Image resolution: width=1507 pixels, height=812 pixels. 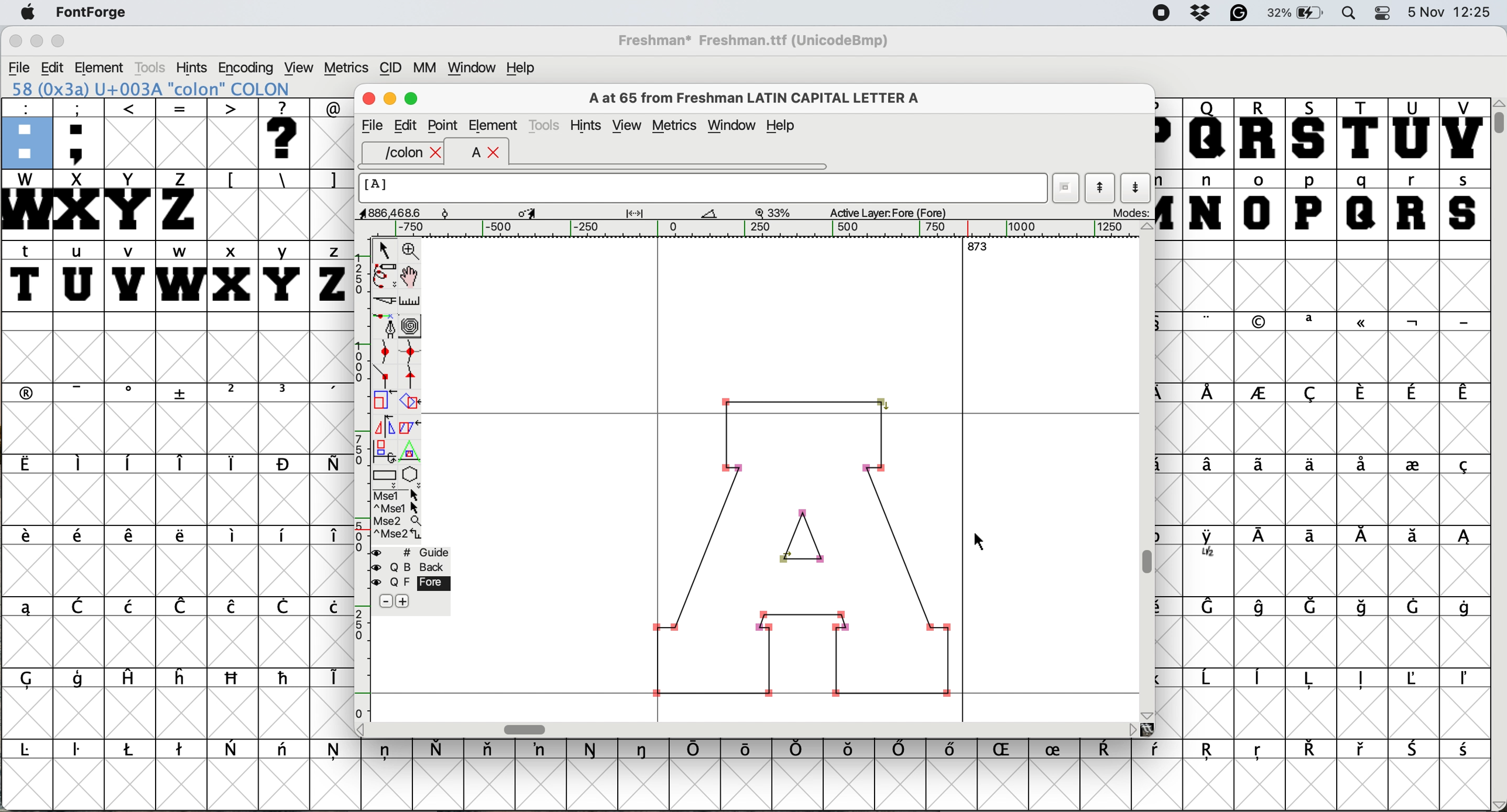 What do you see at coordinates (357, 483) in the screenshot?
I see `vertical scale` at bounding box center [357, 483].